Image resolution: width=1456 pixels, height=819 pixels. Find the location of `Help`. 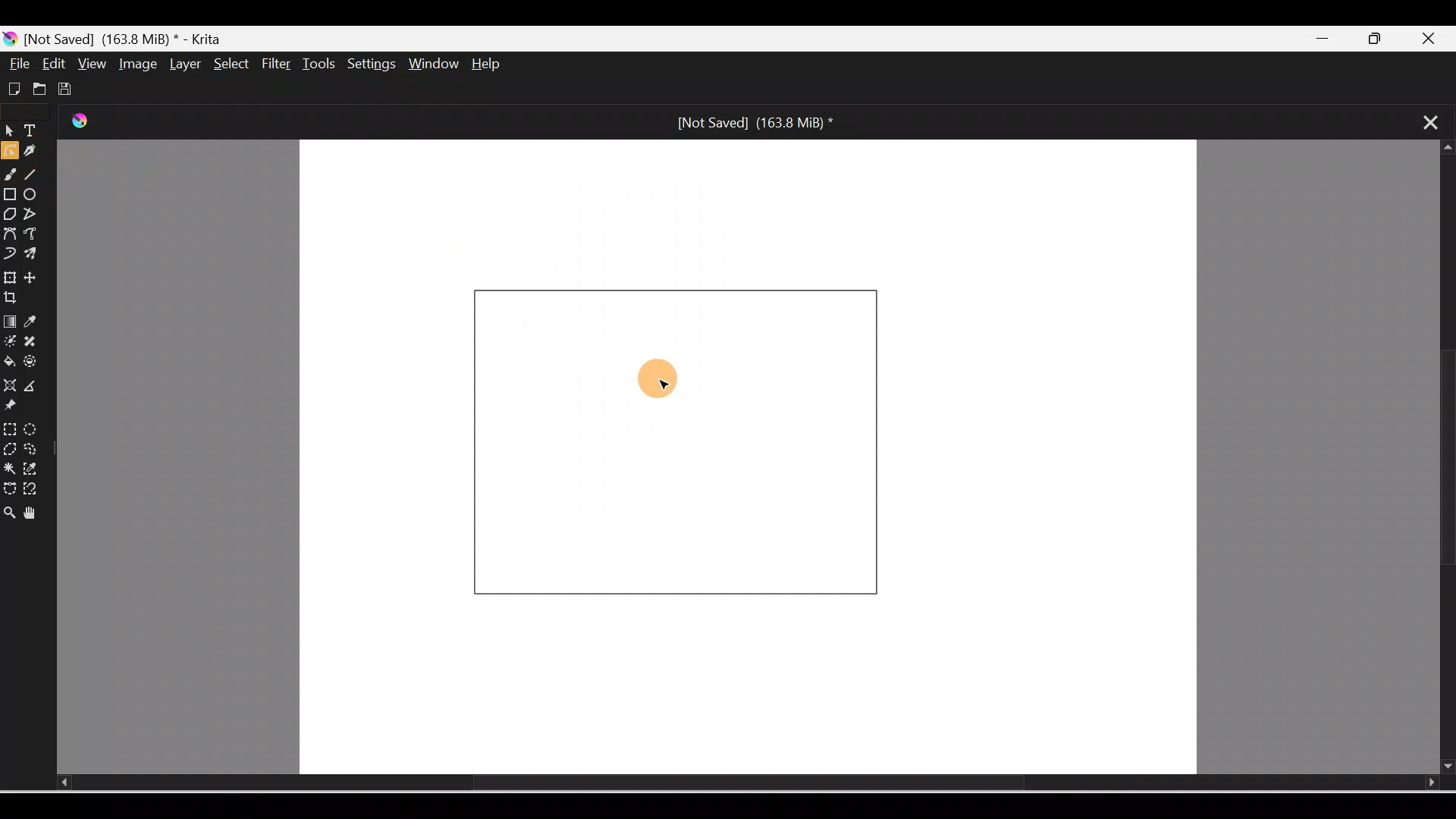

Help is located at coordinates (499, 65).